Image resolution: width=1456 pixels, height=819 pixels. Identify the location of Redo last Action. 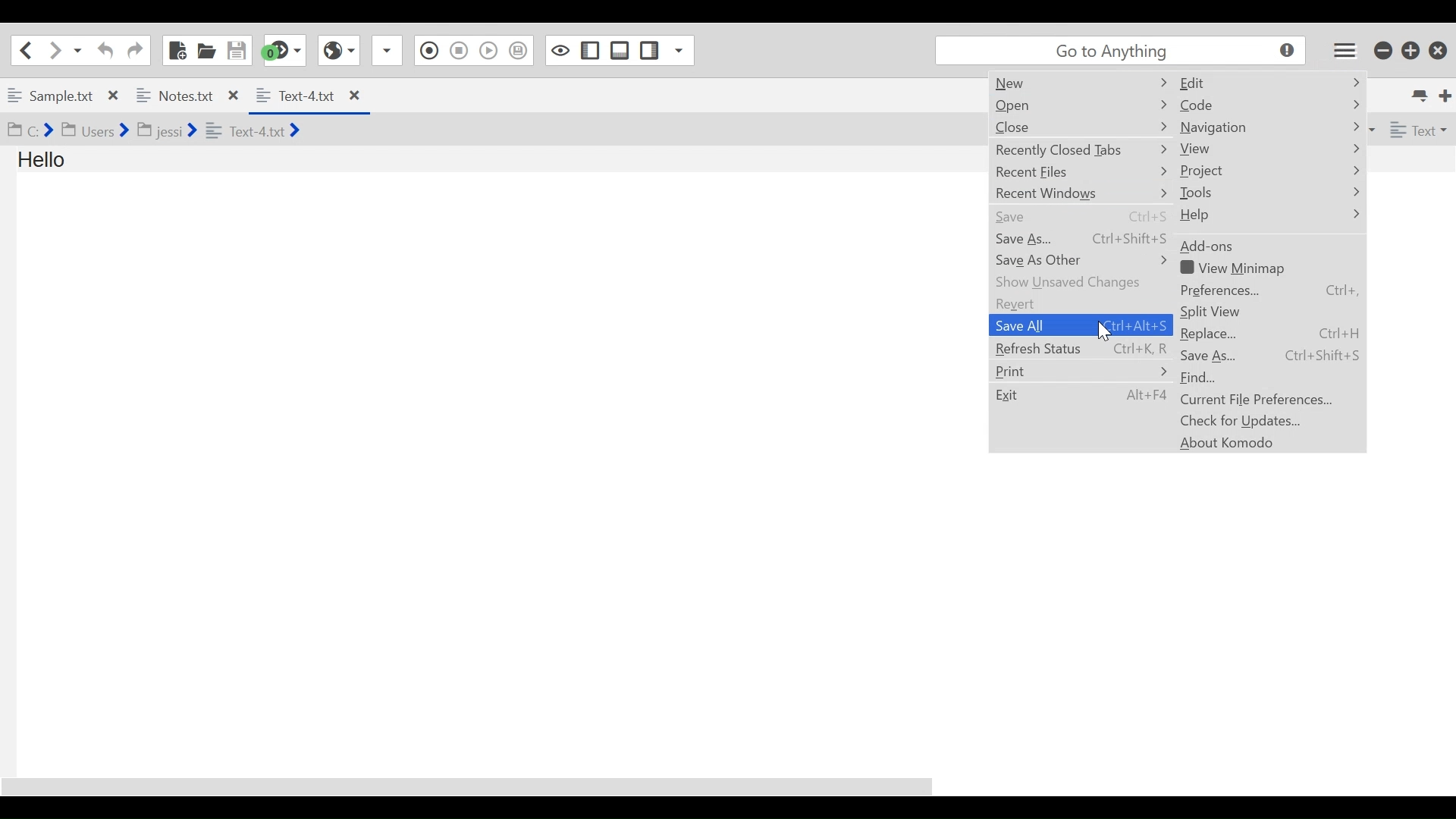
(135, 51).